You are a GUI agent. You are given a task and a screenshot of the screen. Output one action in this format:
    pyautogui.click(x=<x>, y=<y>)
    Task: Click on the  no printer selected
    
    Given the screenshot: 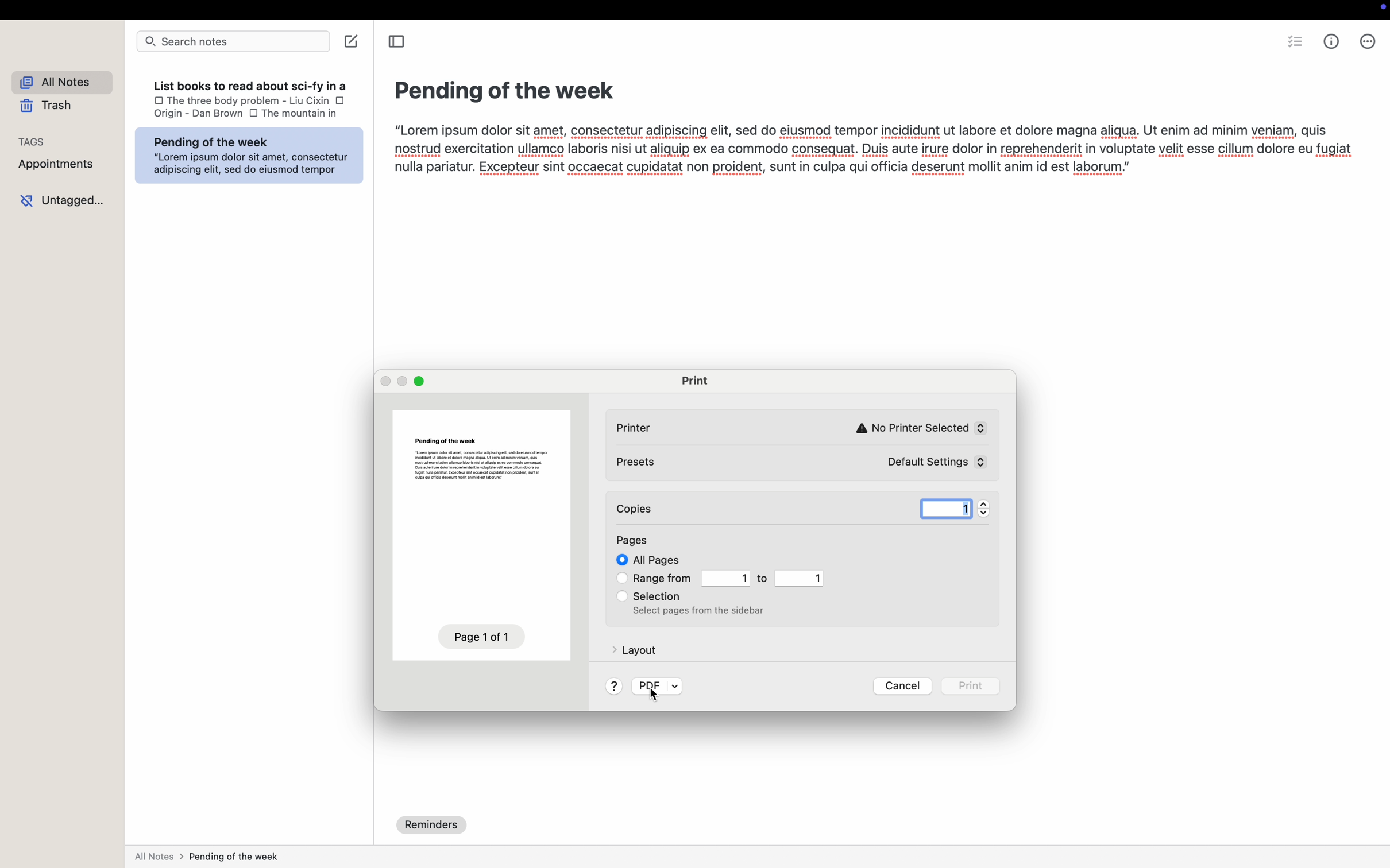 What is the action you would take?
    pyautogui.click(x=918, y=423)
    